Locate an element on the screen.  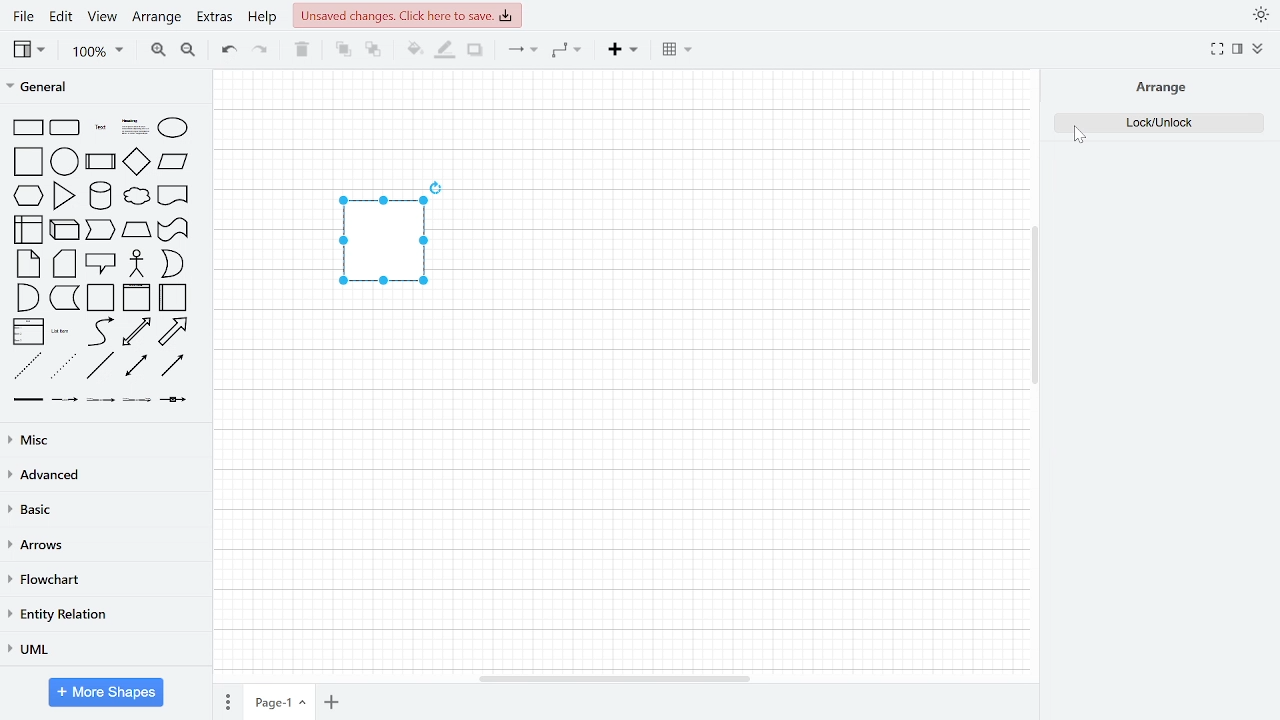
misc is located at coordinates (103, 437).